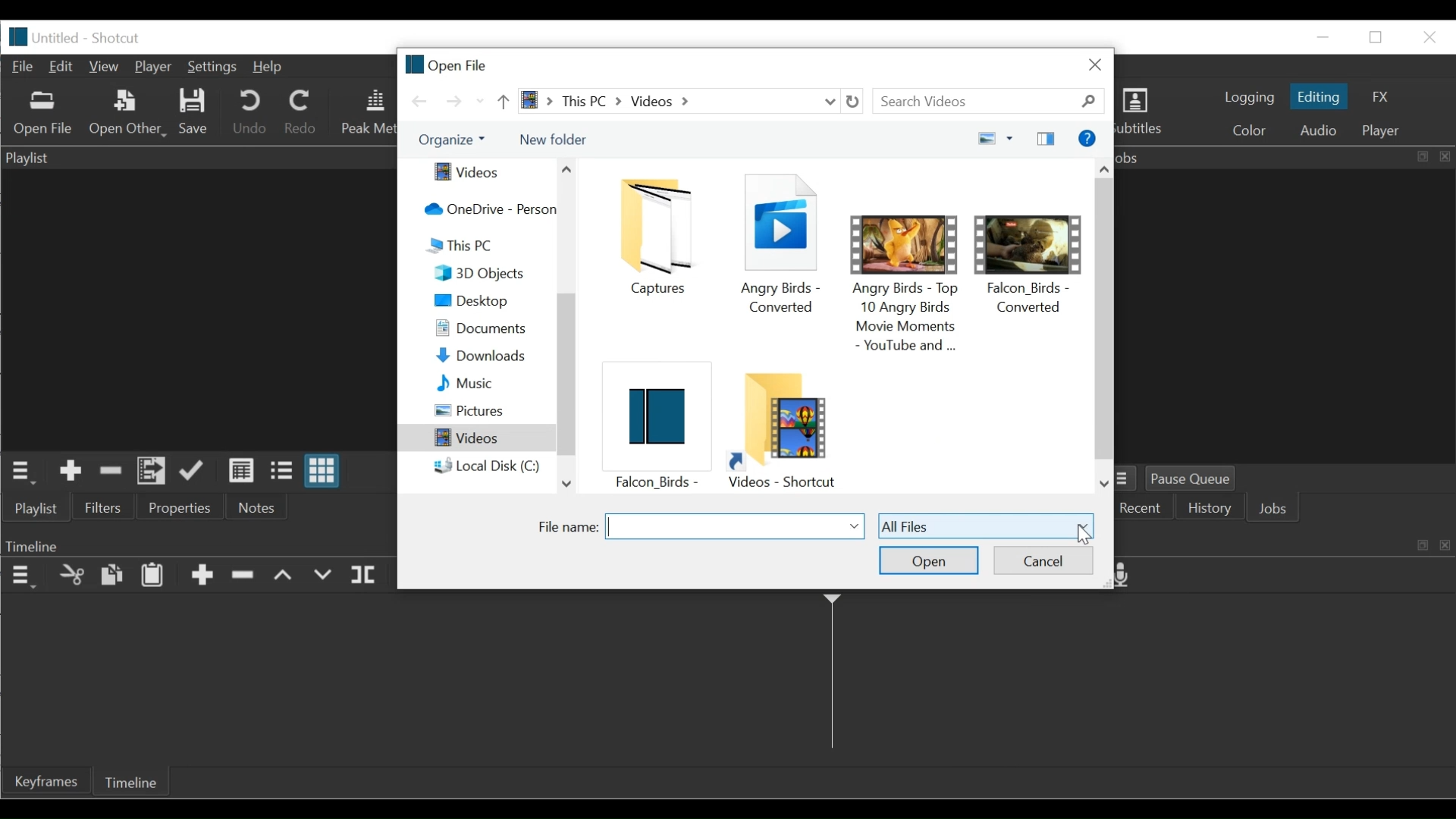 The image size is (1456, 819). I want to click on Recent, so click(1143, 509).